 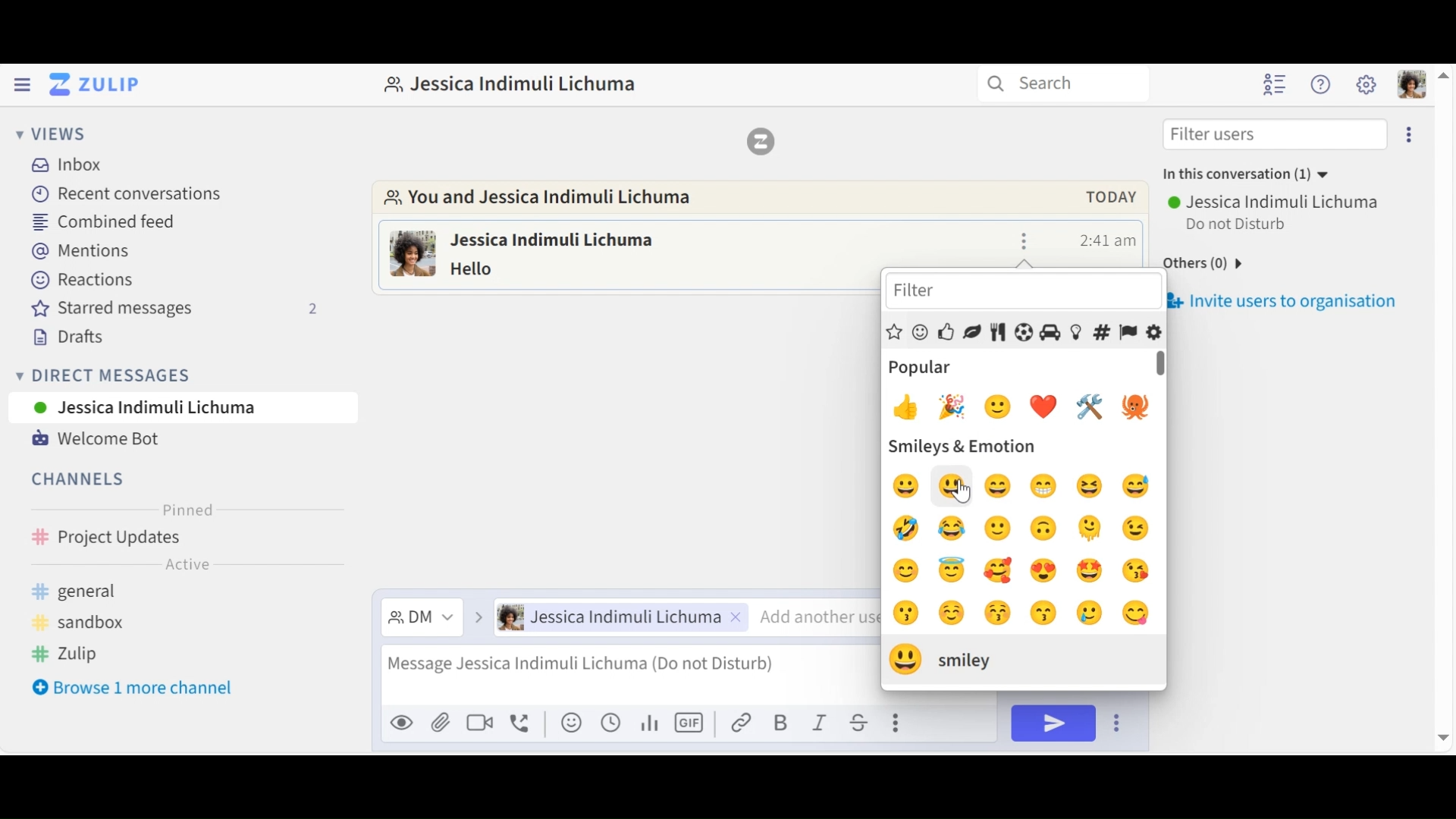 What do you see at coordinates (185, 510) in the screenshot?
I see `Pinned` at bounding box center [185, 510].